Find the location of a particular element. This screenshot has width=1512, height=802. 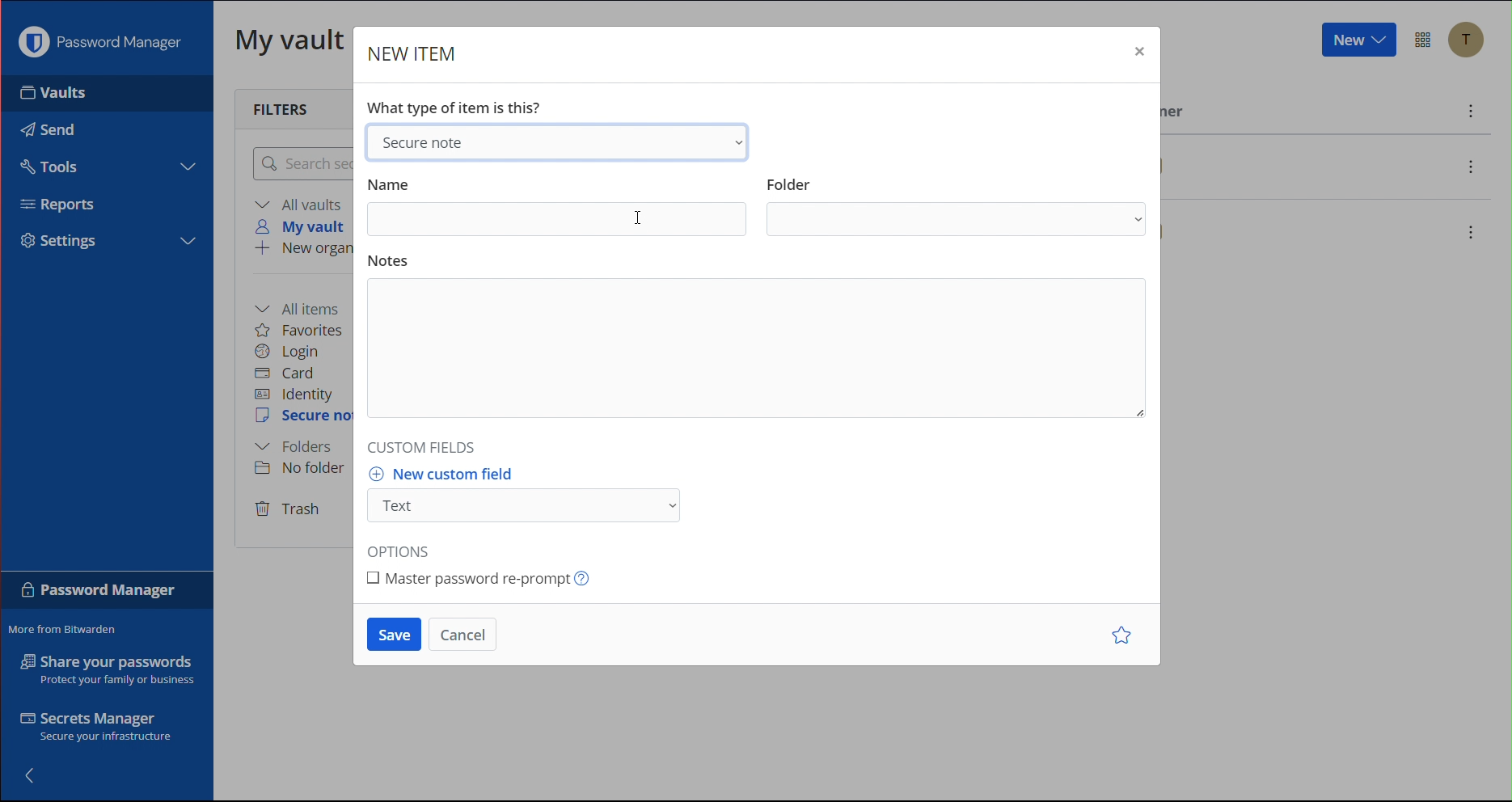

Search Bar is located at coordinates (303, 165).